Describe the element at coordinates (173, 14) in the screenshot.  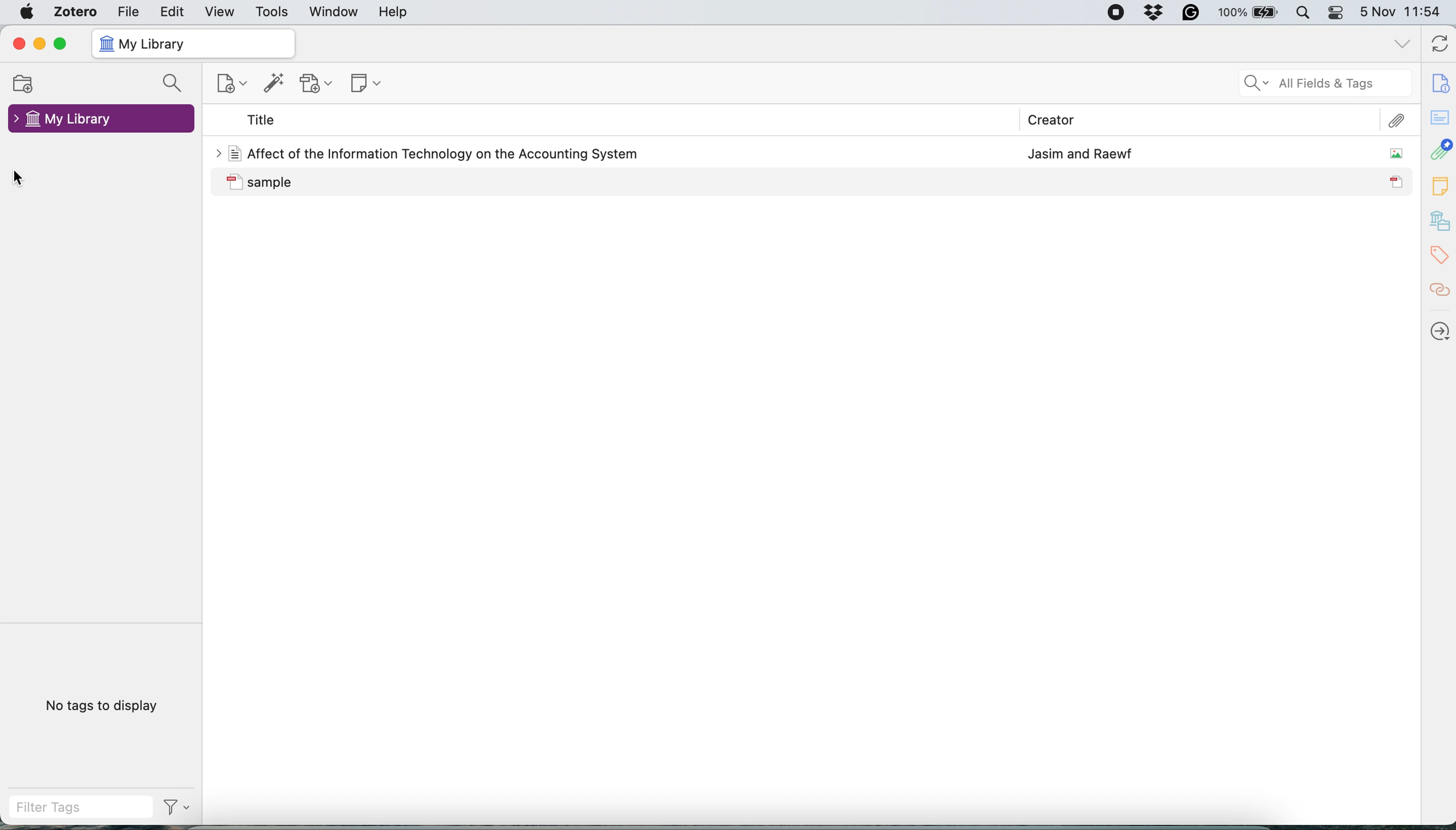
I see `edit` at that location.